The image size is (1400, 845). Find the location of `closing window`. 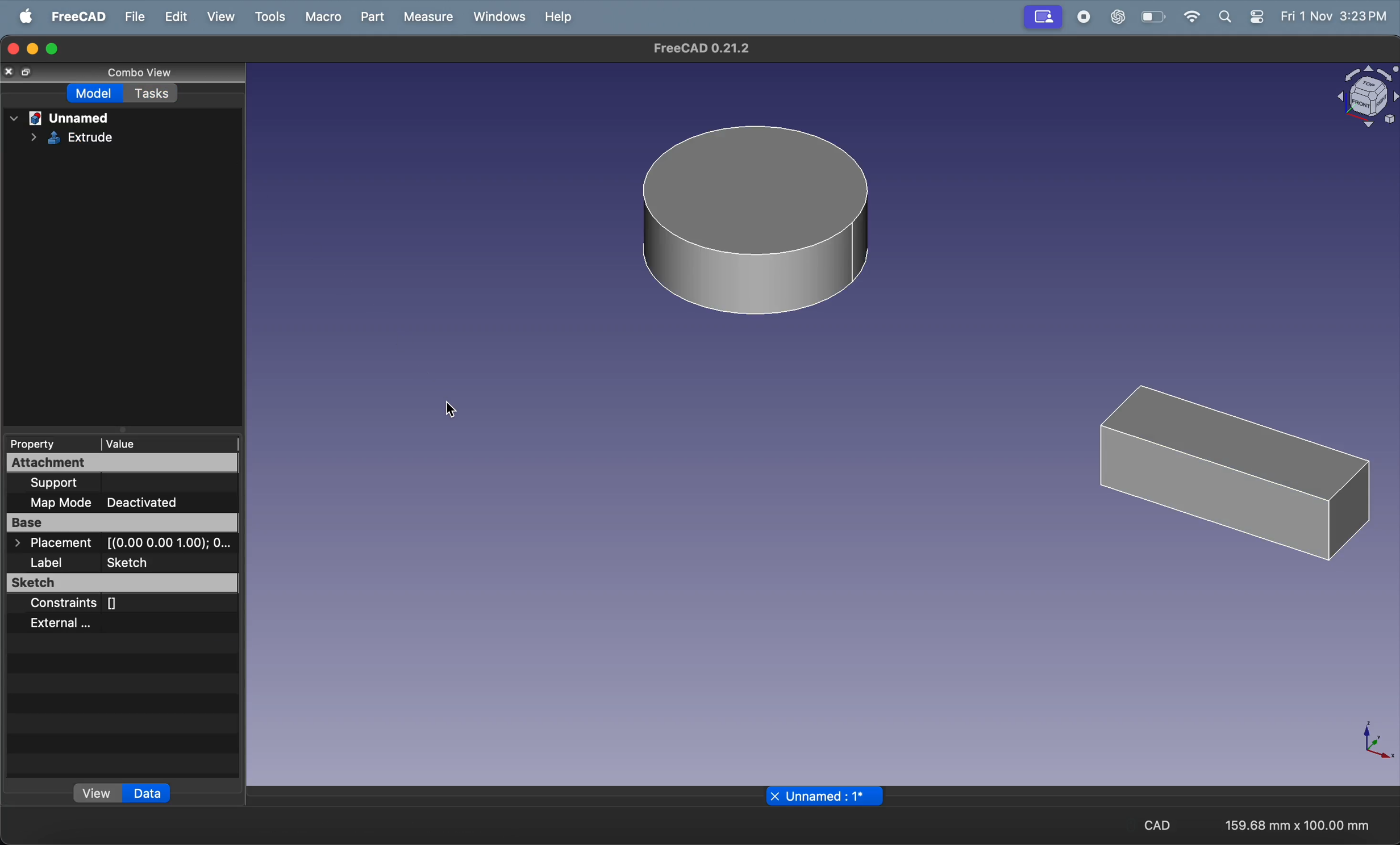

closing window is located at coordinates (12, 49).